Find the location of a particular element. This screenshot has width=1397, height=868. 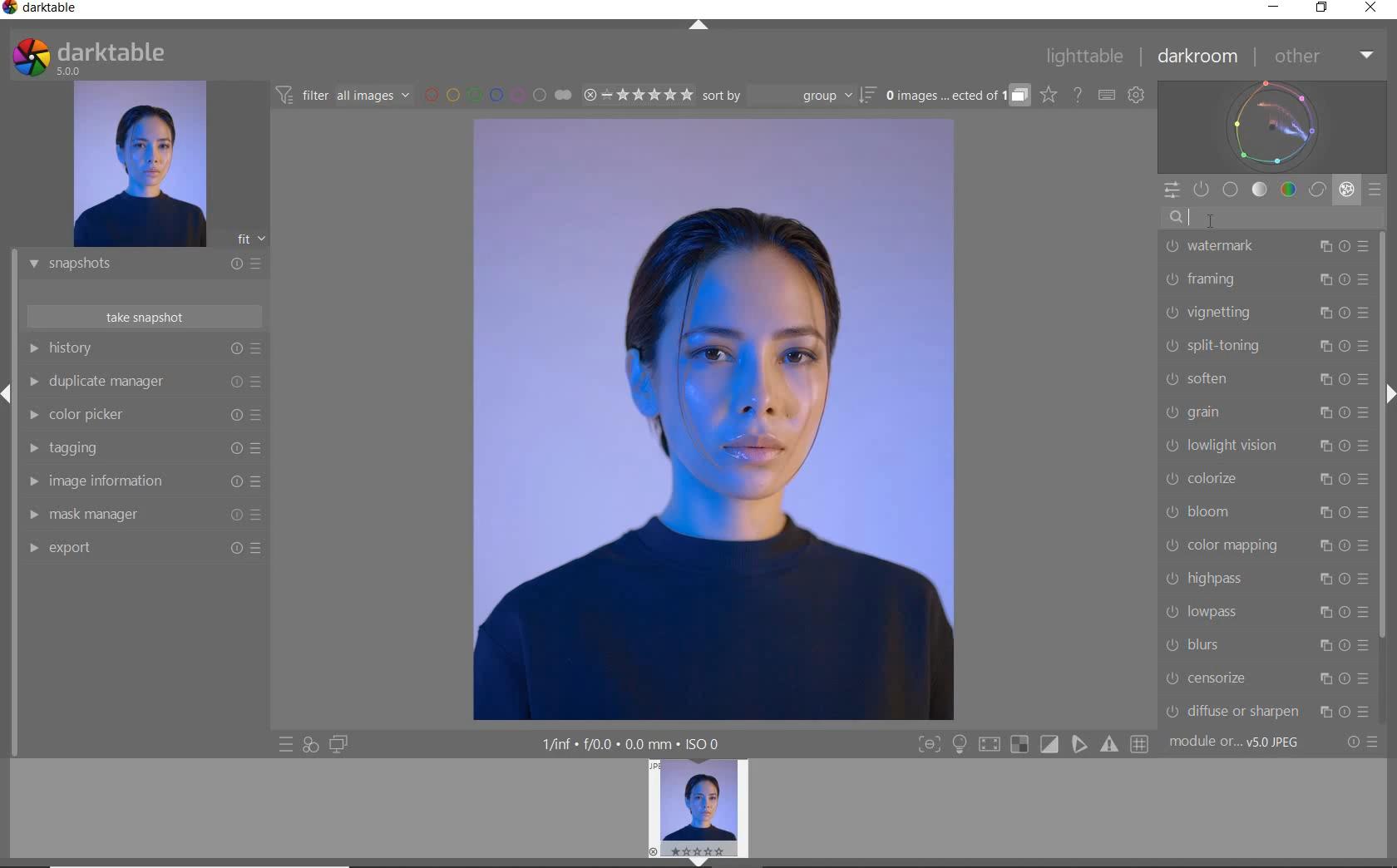

COLOR MAPPING is located at coordinates (1266, 545).